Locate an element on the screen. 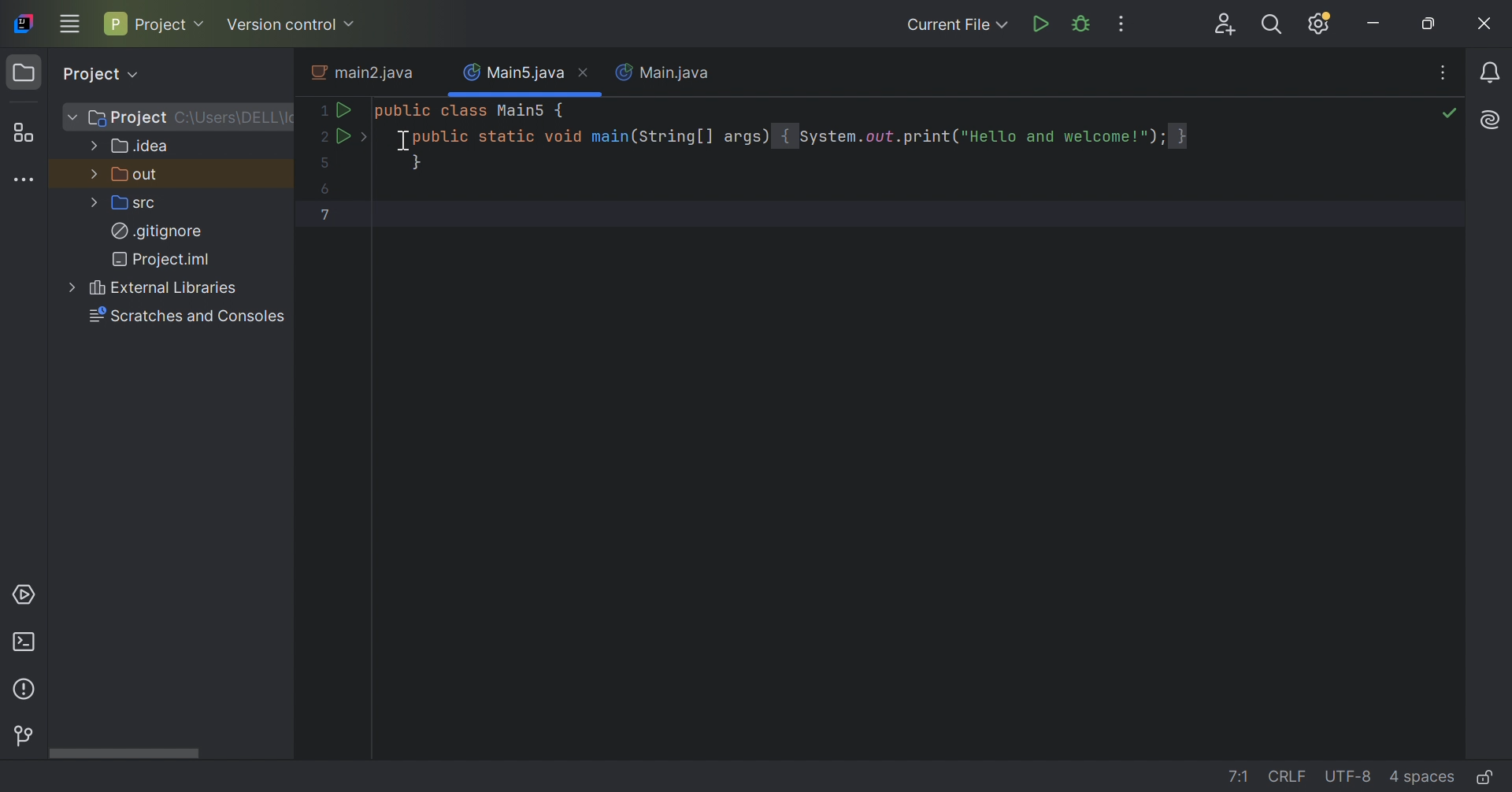 This screenshot has height=792, width=1512. Run is located at coordinates (347, 112).